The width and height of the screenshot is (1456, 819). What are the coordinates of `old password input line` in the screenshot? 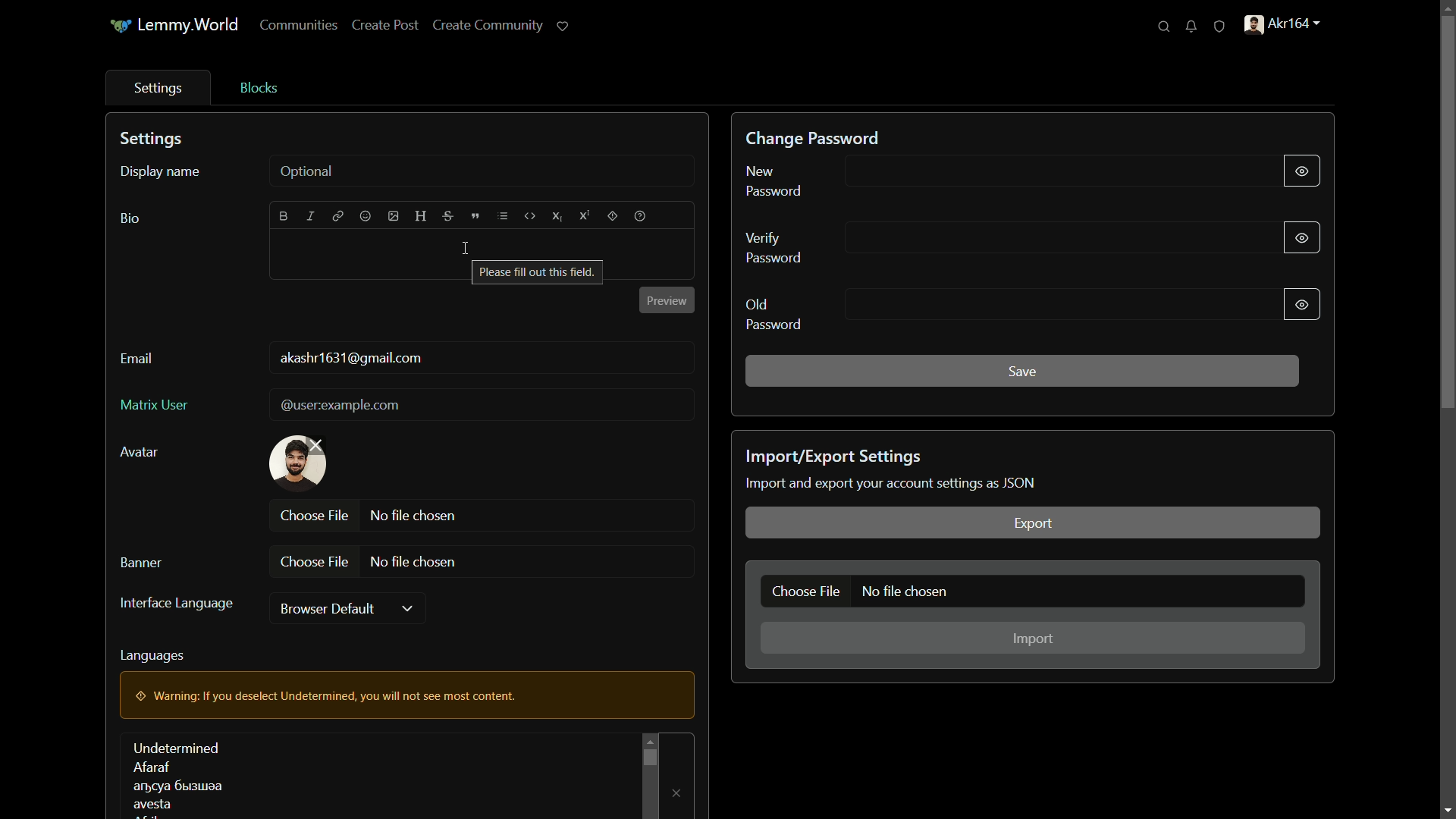 It's located at (1058, 304).